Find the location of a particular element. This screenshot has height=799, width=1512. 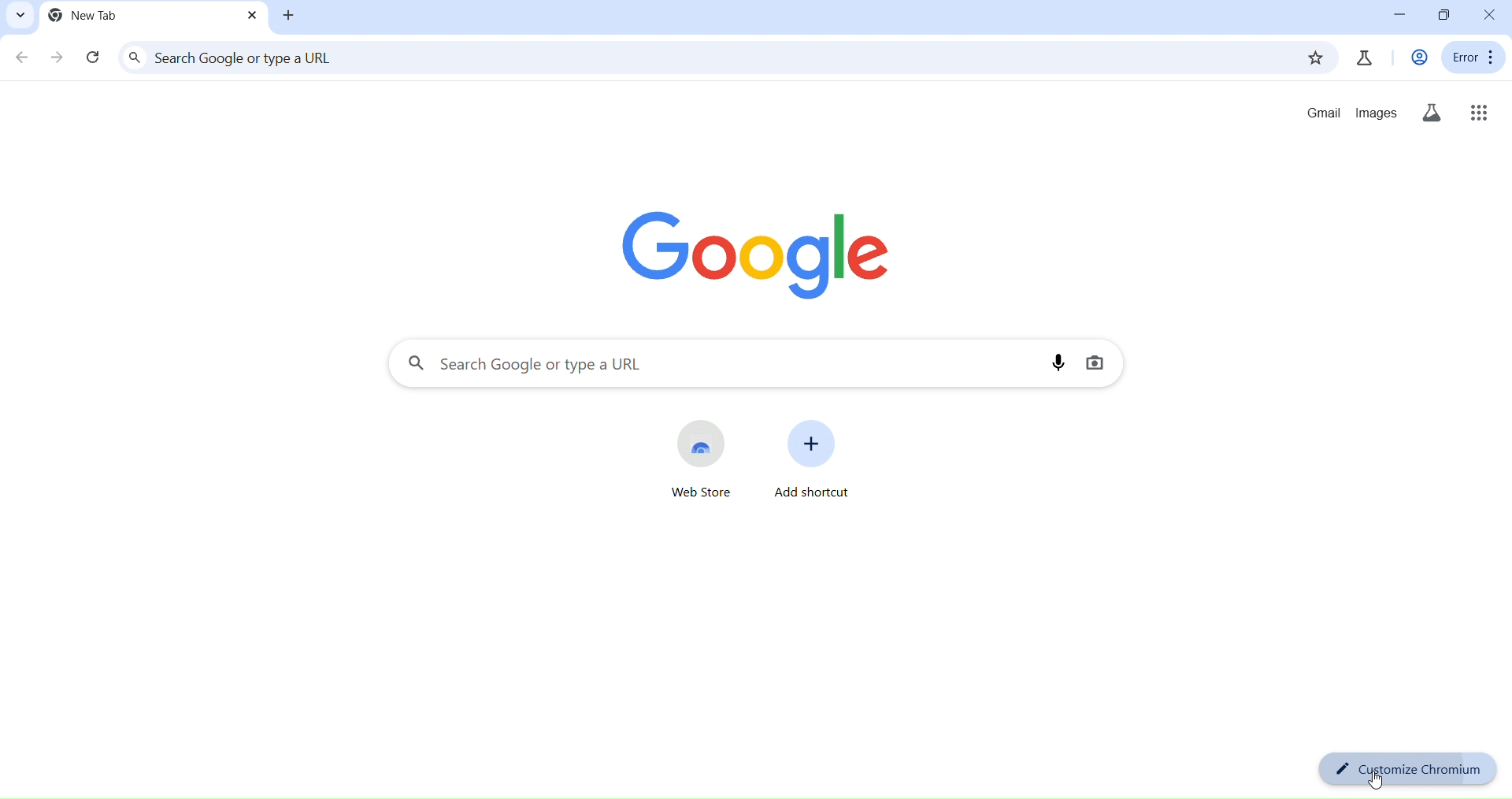

voice search is located at coordinates (1062, 362).